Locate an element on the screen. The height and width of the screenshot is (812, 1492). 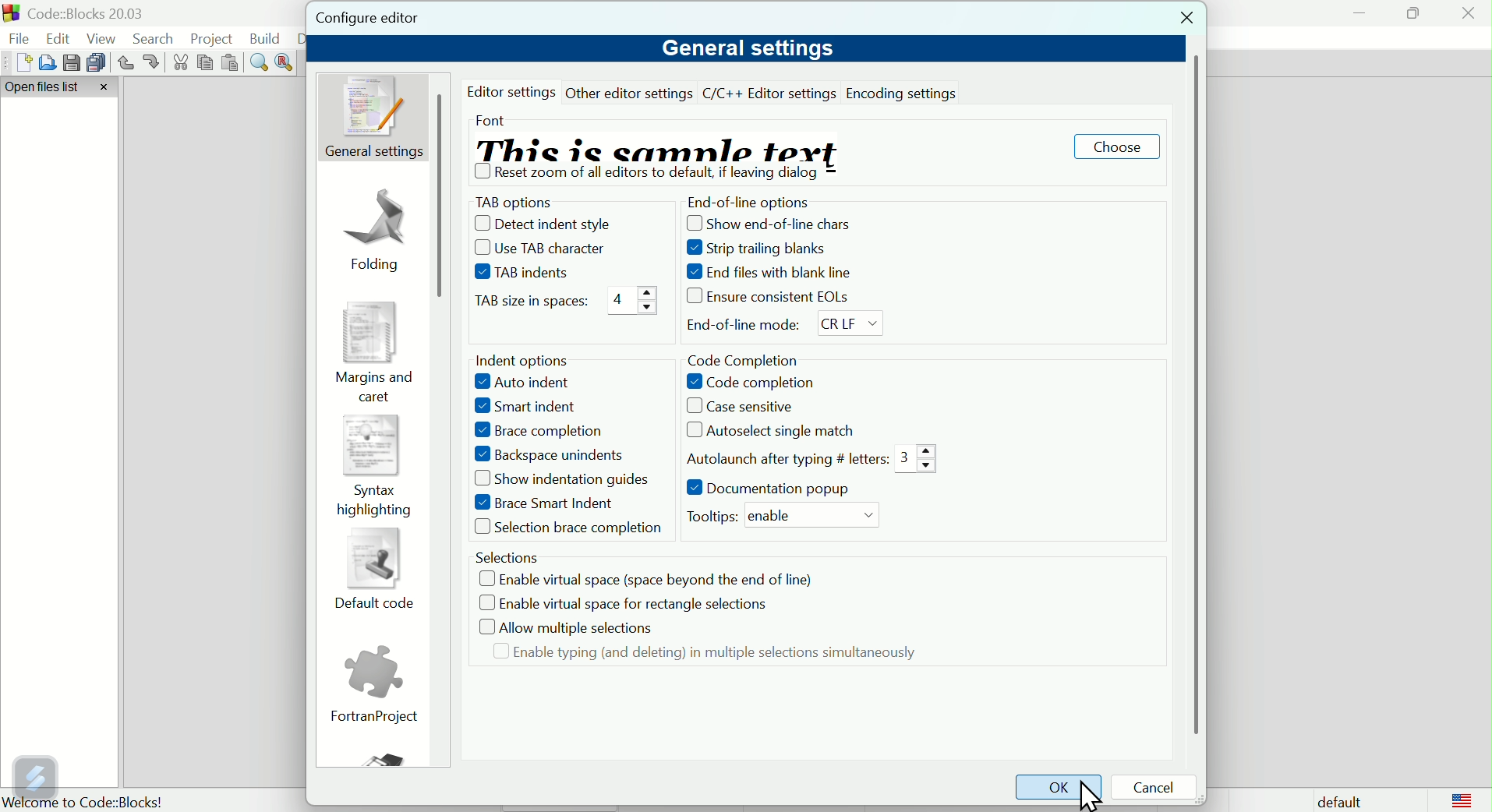
Enable virtual space space beyond the end of line is located at coordinates (650, 578).